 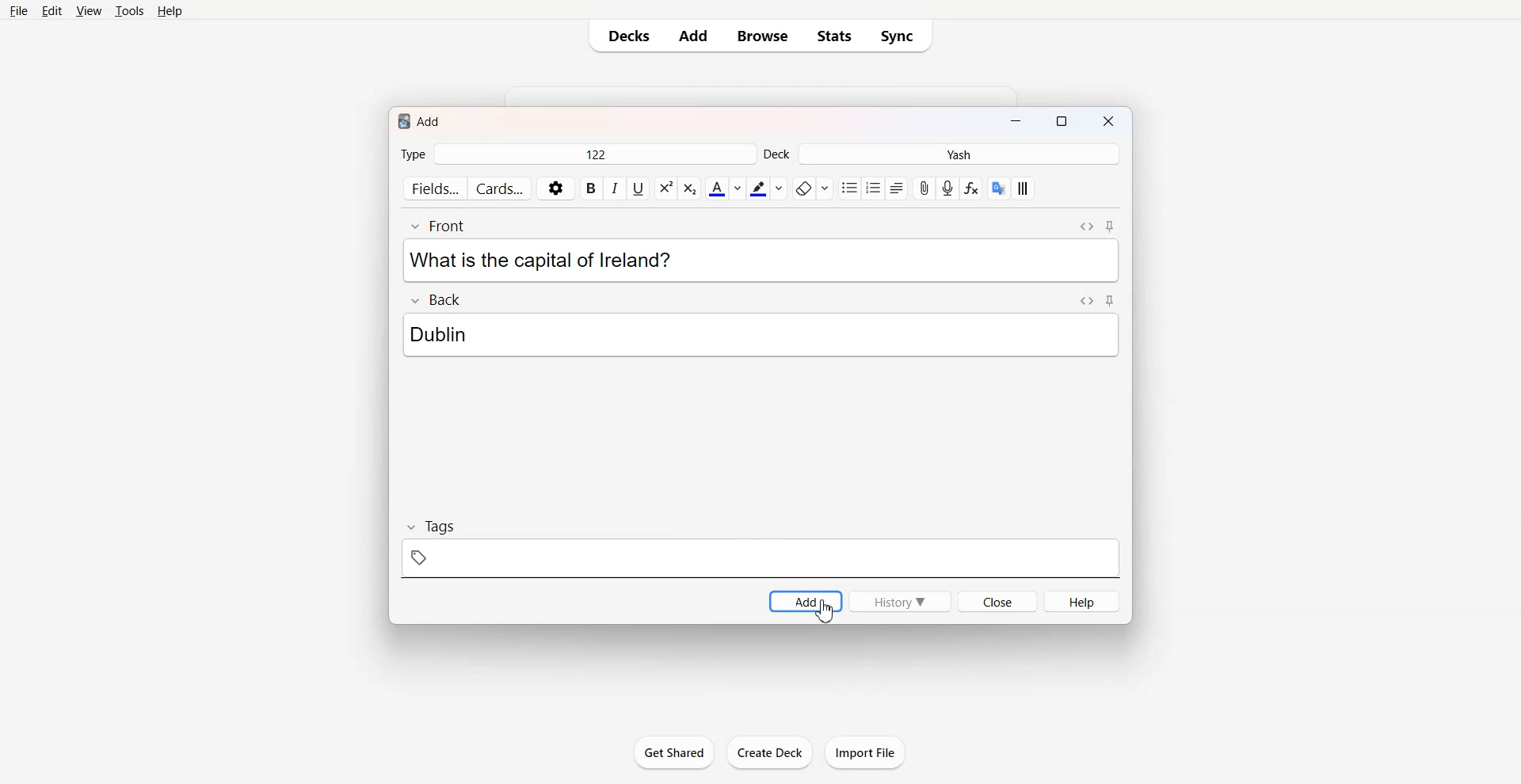 What do you see at coordinates (1024, 188) in the screenshot?
I see `Custom Style Layout` at bounding box center [1024, 188].